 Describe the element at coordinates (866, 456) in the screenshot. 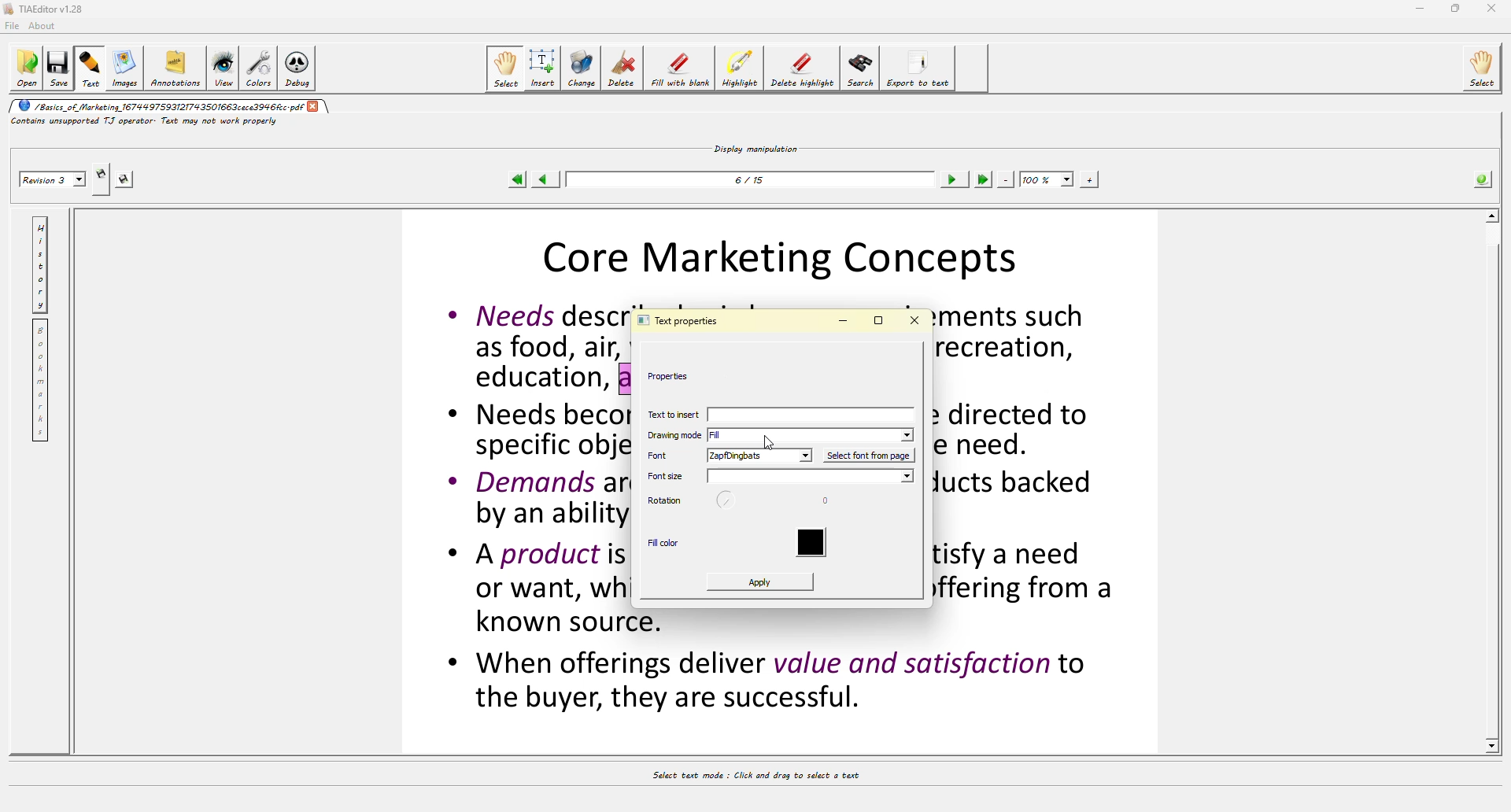

I see `select font from page` at that location.